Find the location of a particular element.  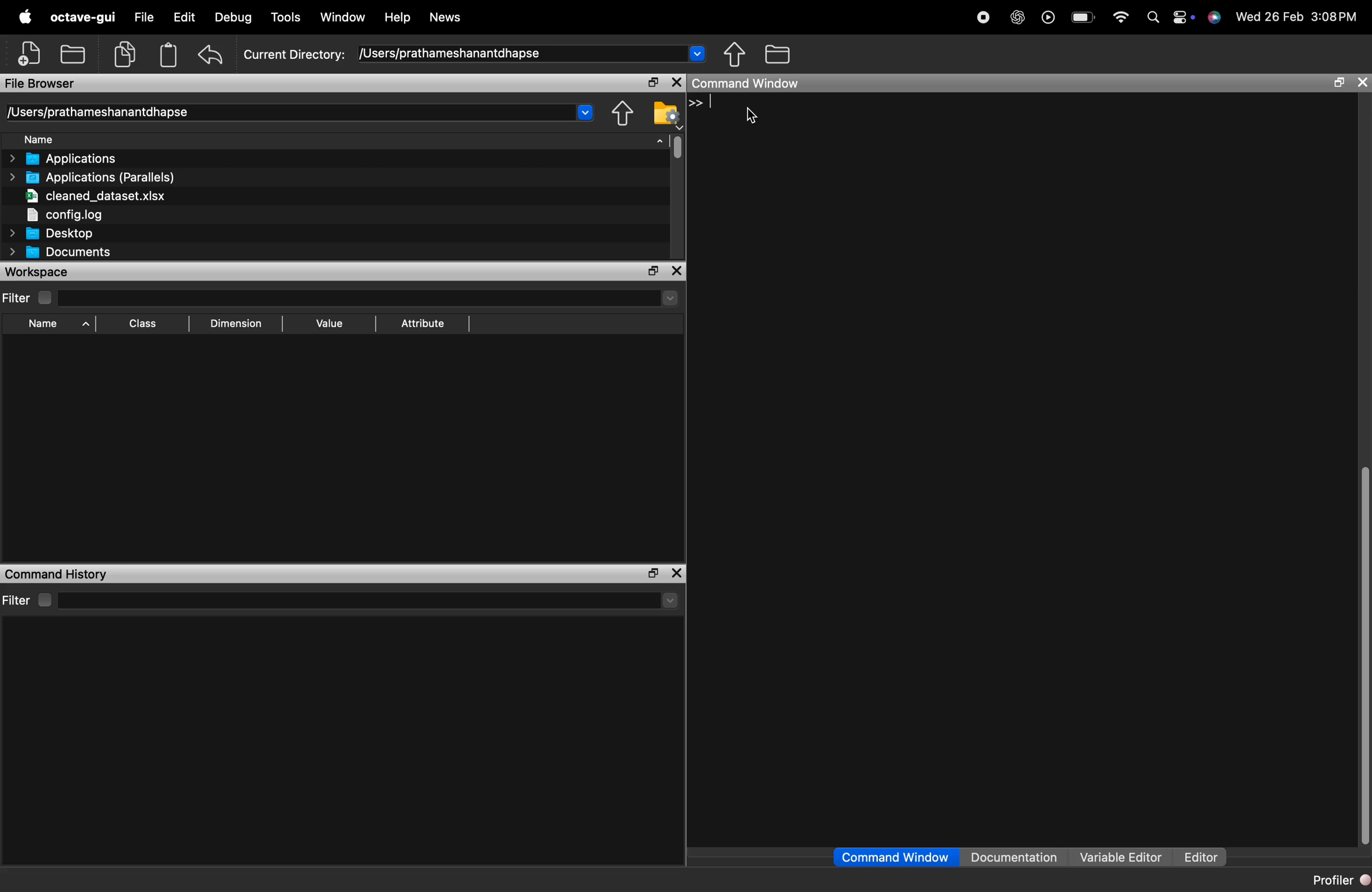

Current Directory: is located at coordinates (293, 55).